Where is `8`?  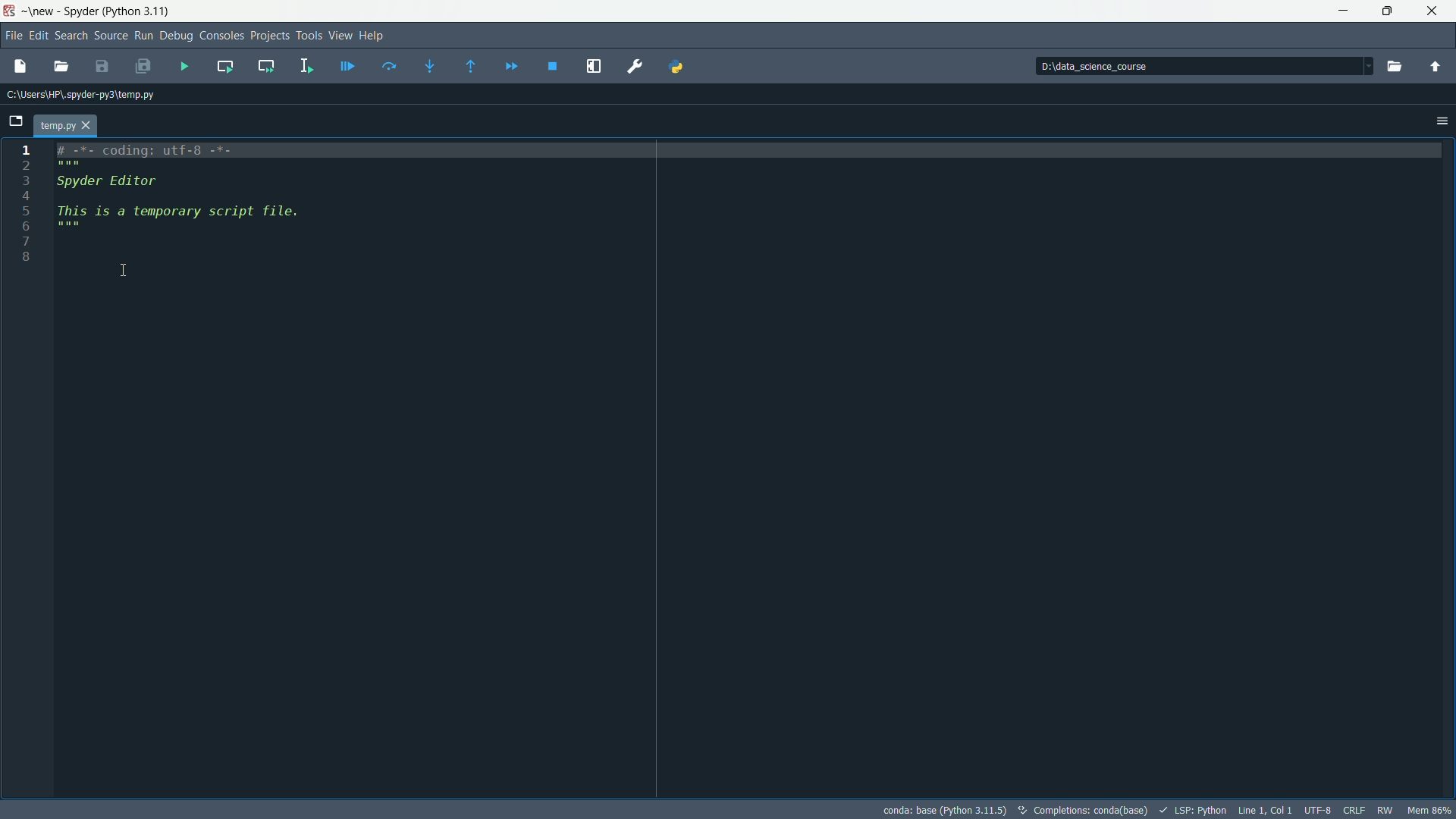
8 is located at coordinates (49, 259).